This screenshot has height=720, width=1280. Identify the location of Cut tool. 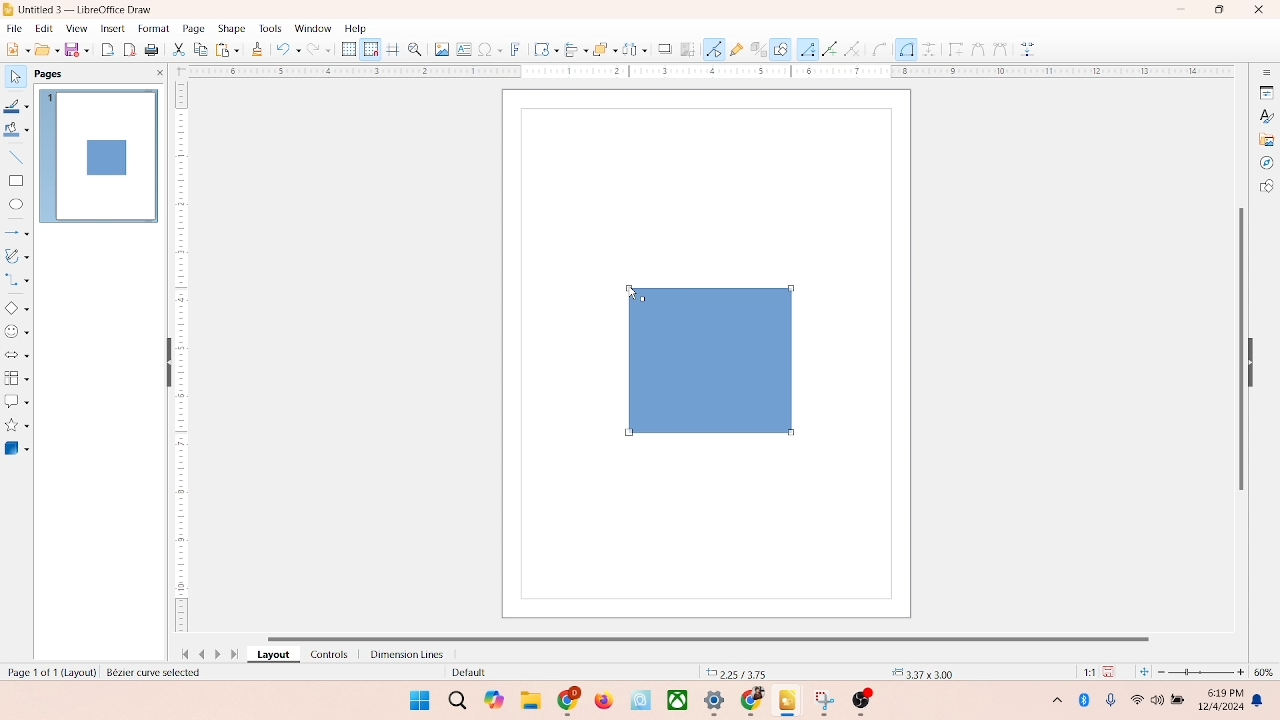
(973, 48).